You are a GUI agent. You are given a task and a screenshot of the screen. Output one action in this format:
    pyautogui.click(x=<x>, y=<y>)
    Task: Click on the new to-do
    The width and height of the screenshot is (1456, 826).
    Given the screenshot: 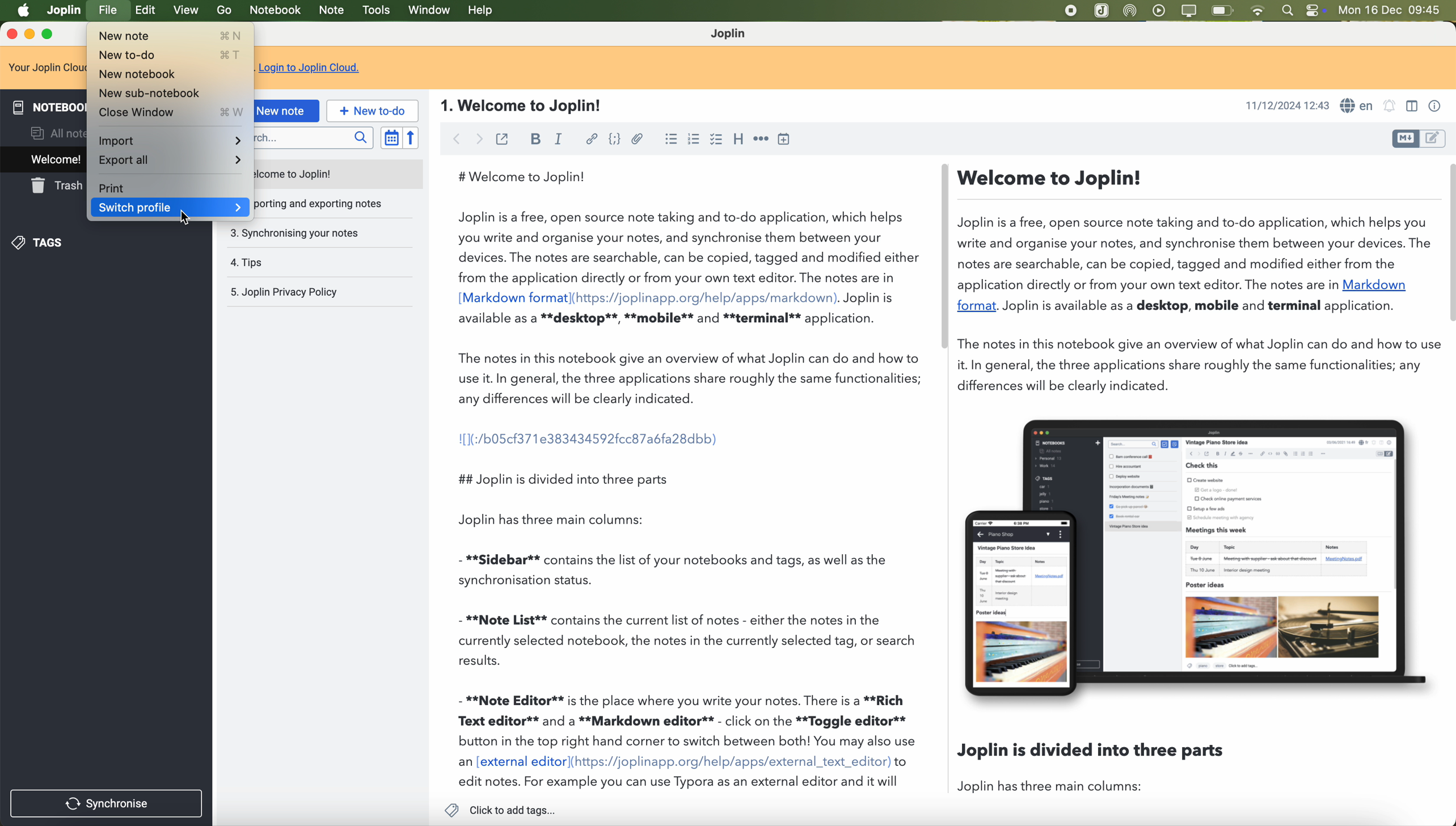 What is the action you would take?
    pyautogui.click(x=371, y=111)
    